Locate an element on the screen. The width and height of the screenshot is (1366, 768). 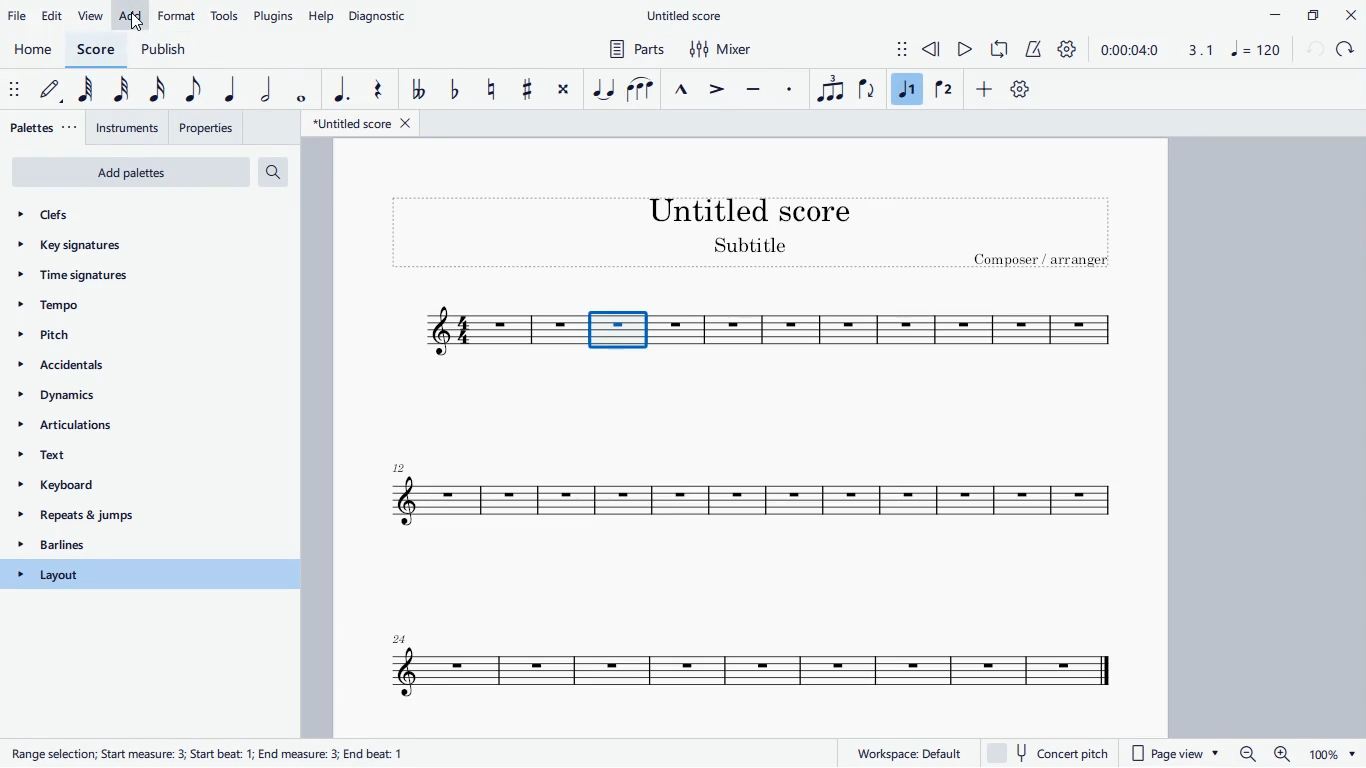
concert pitch is located at coordinates (1054, 753).